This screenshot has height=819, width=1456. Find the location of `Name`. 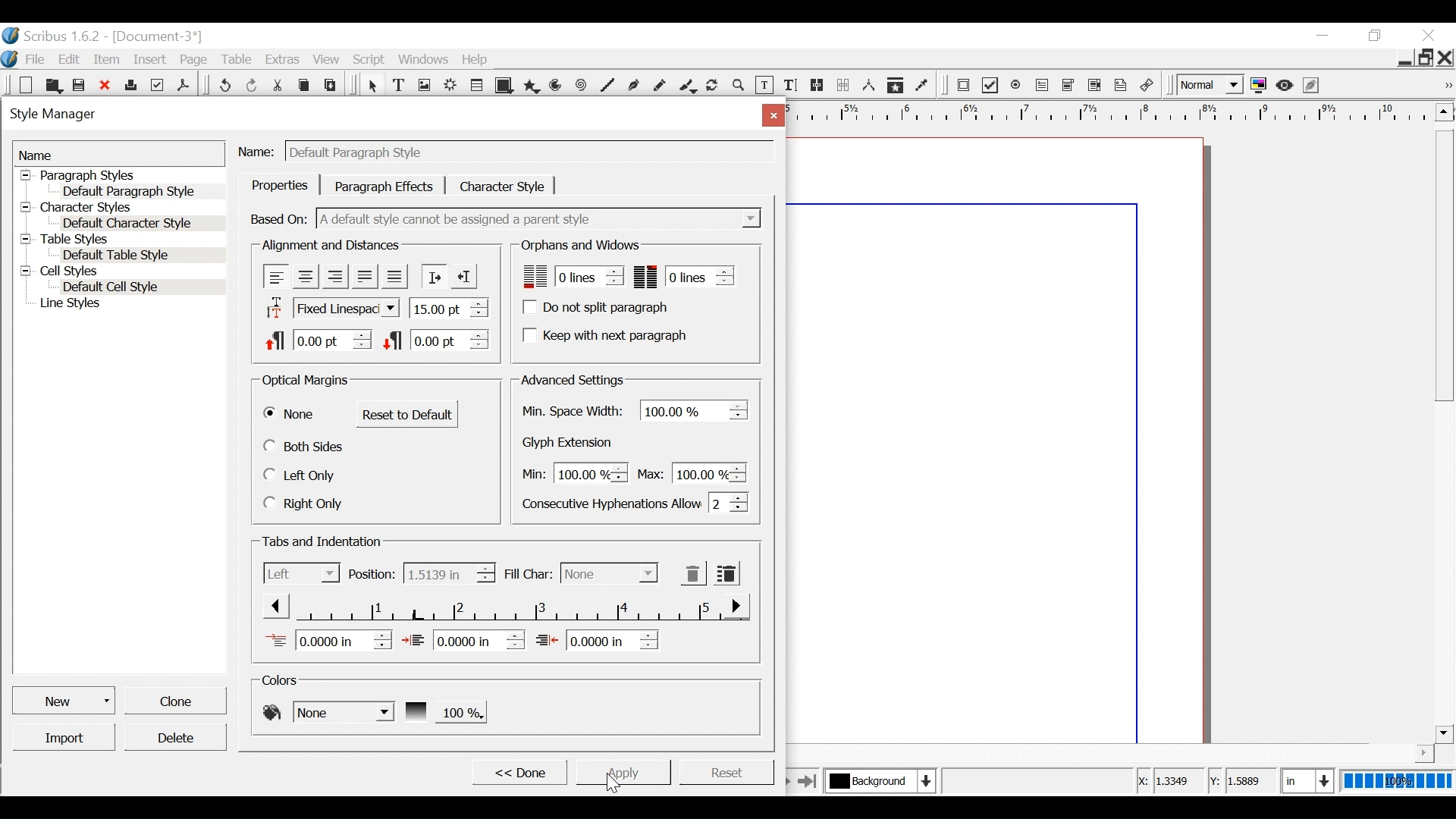

Name is located at coordinates (259, 149).